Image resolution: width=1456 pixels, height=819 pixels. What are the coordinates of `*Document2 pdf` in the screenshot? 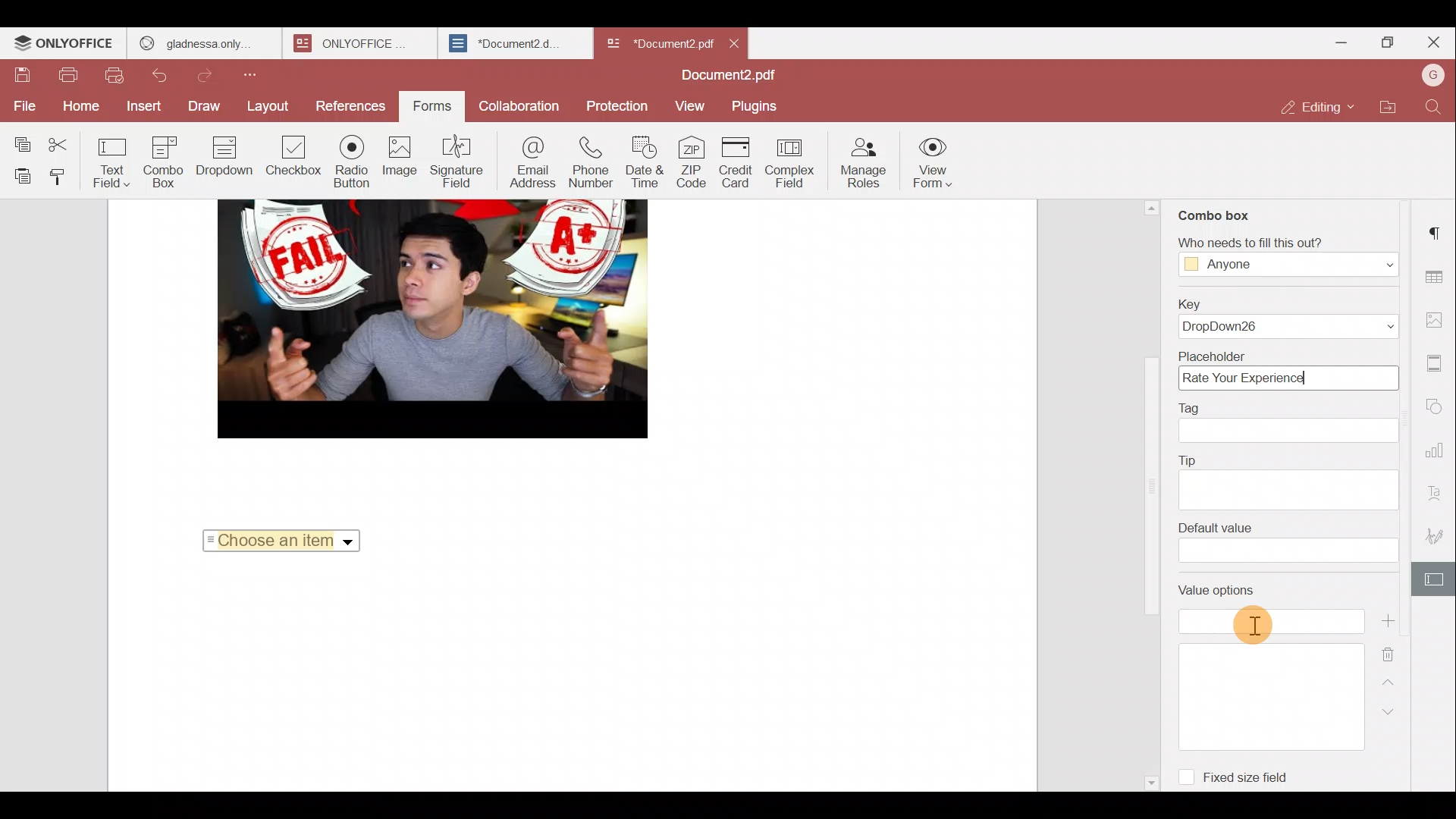 It's located at (658, 42).